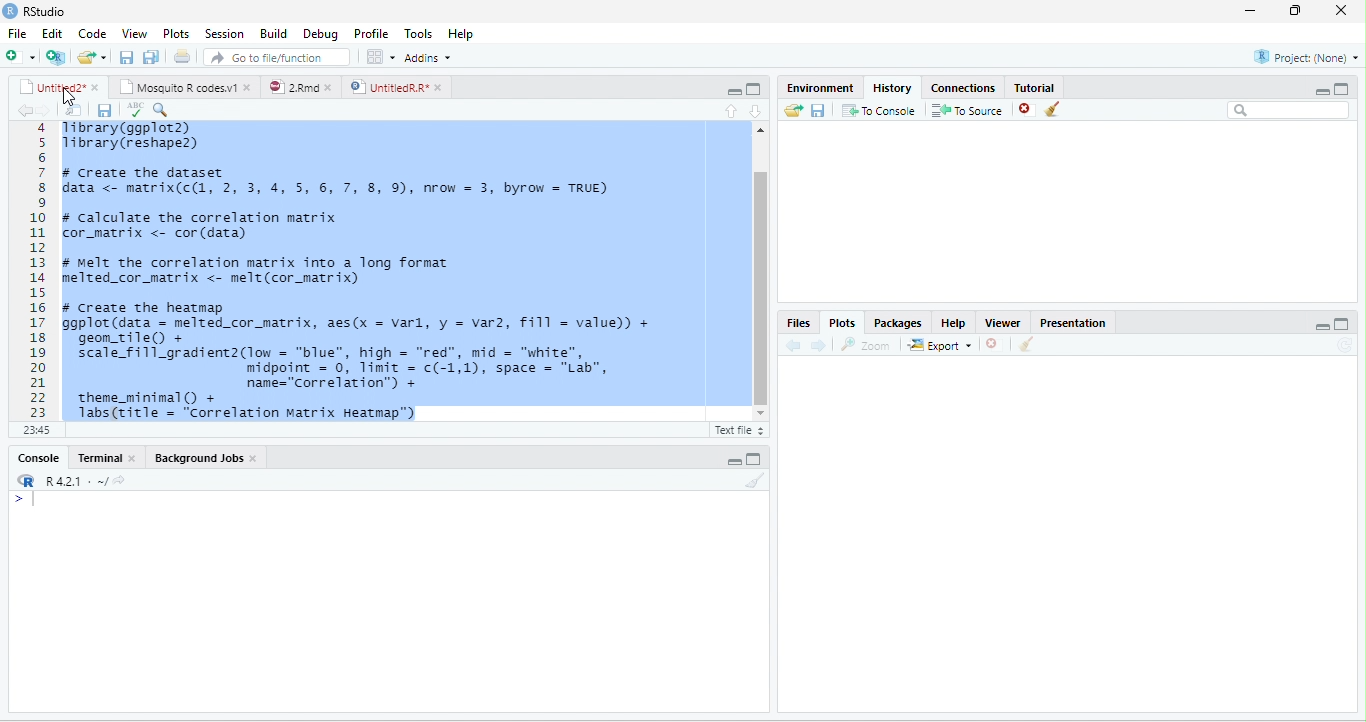 The width and height of the screenshot is (1366, 722). I want to click on close, so click(1021, 110).